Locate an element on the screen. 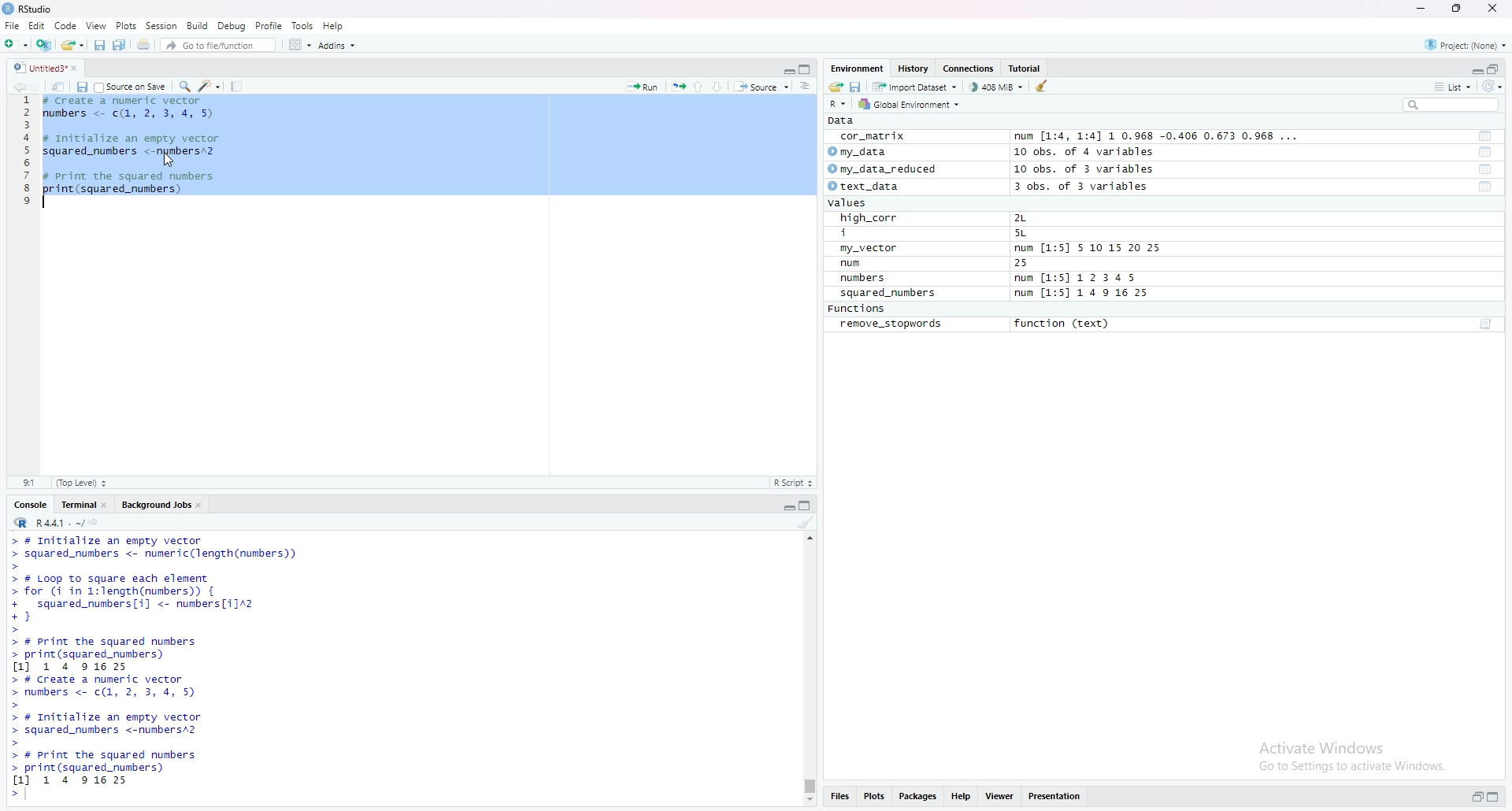  Source on save is located at coordinates (132, 86).